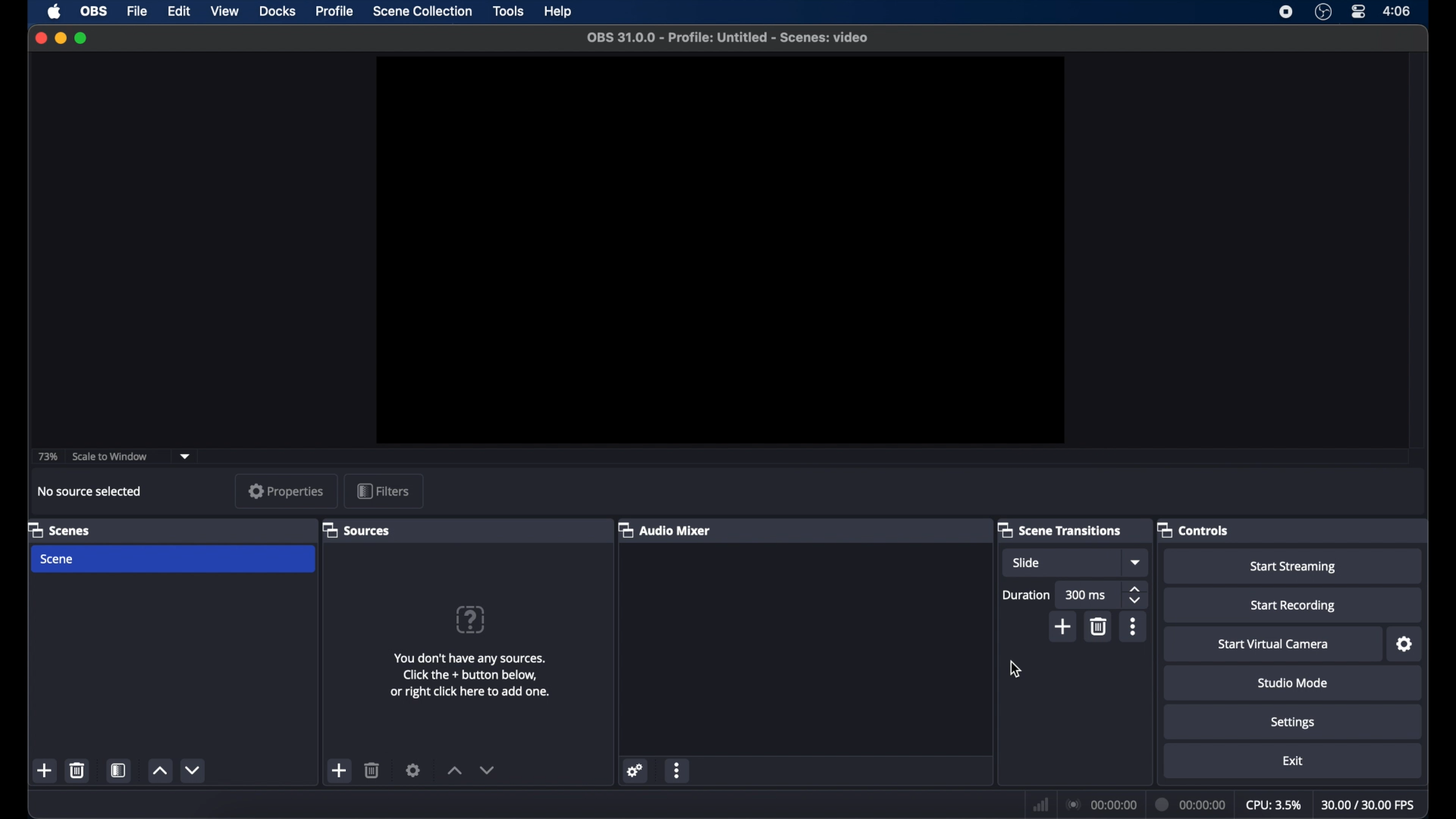 Image resolution: width=1456 pixels, height=819 pixels. I want to click on add, so click(338, 770).